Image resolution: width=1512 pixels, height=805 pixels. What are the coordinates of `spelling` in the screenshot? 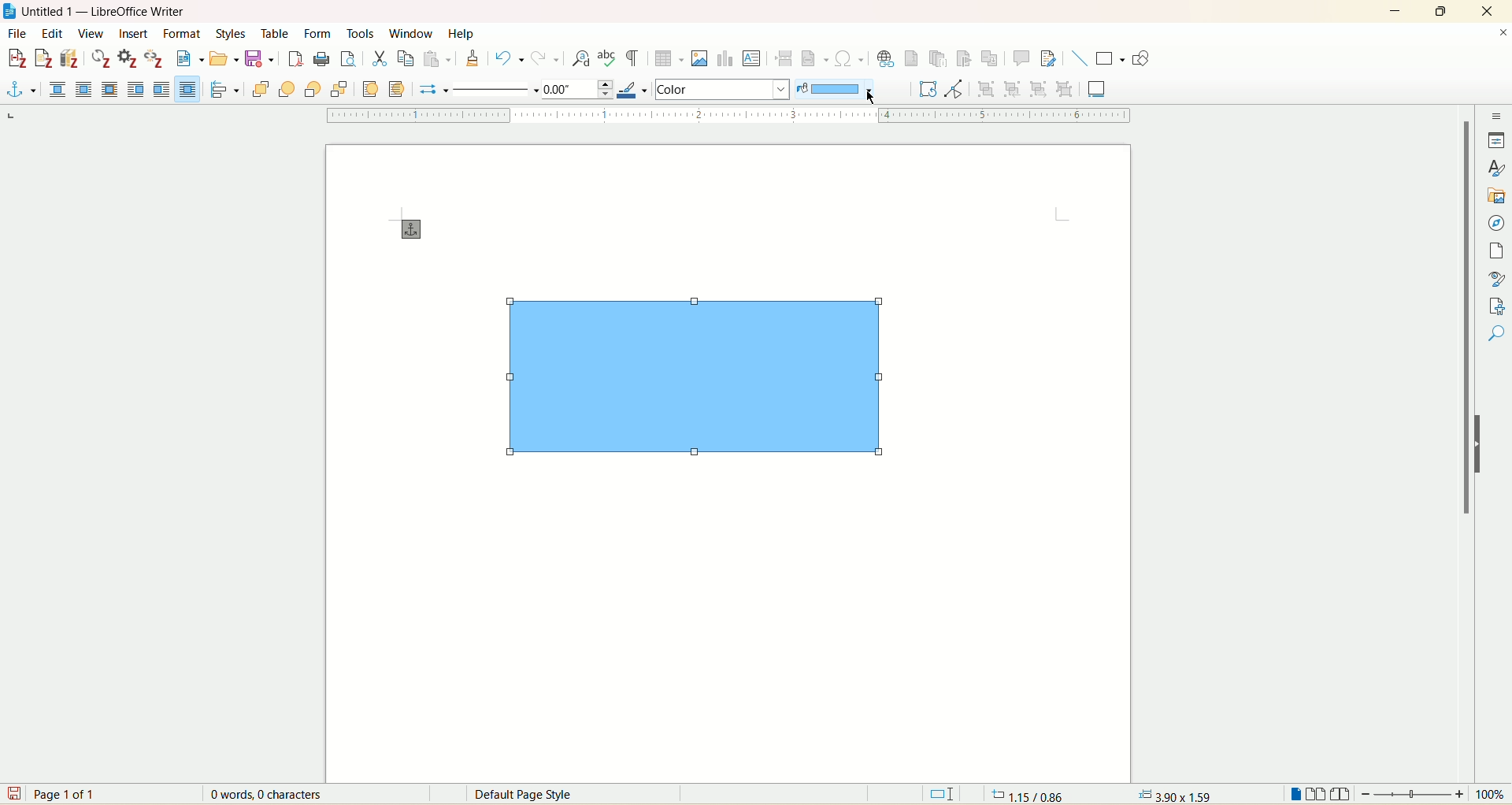 It's located at (608, 60).